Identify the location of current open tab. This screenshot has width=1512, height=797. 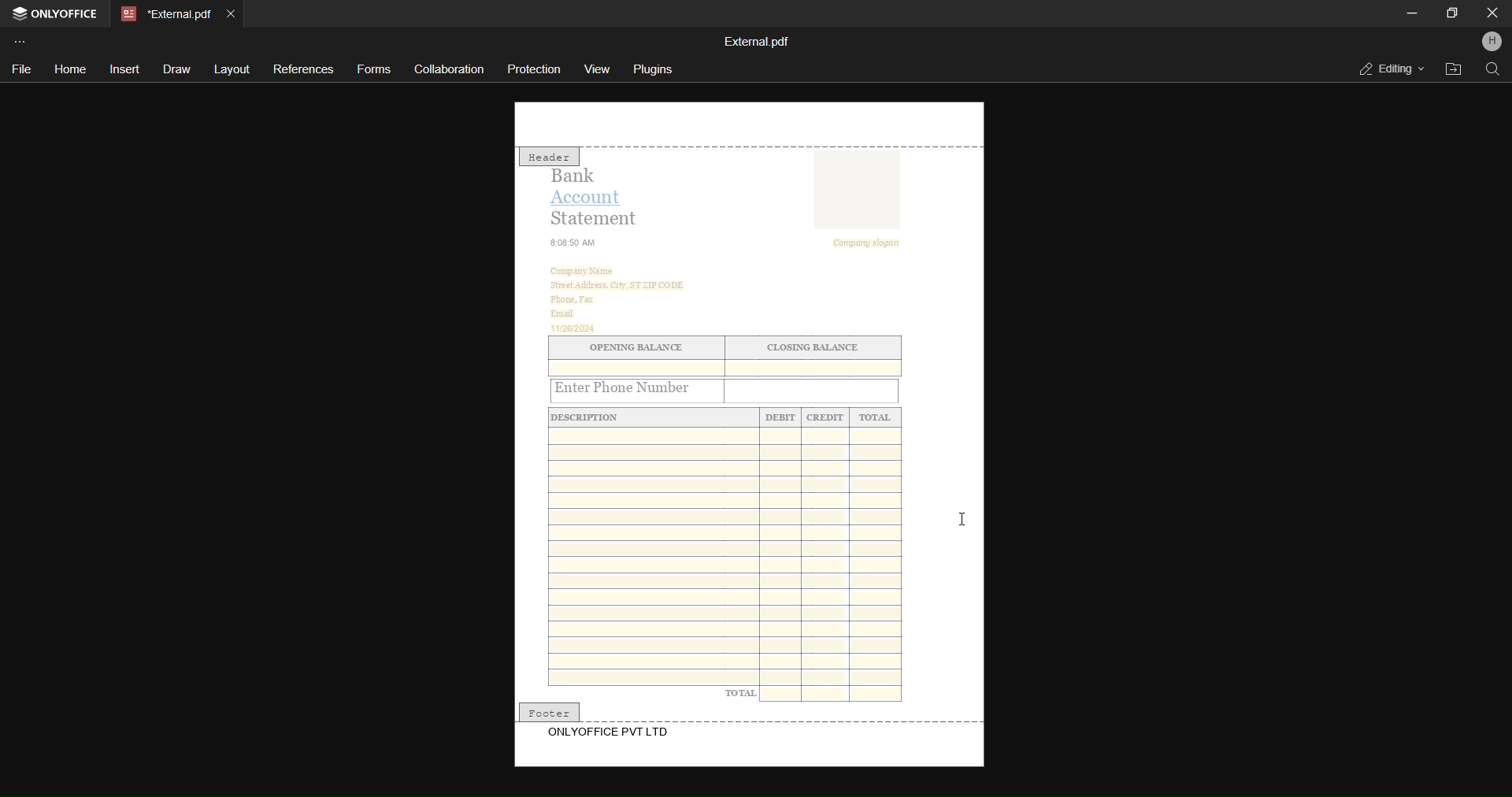
(164, 13).